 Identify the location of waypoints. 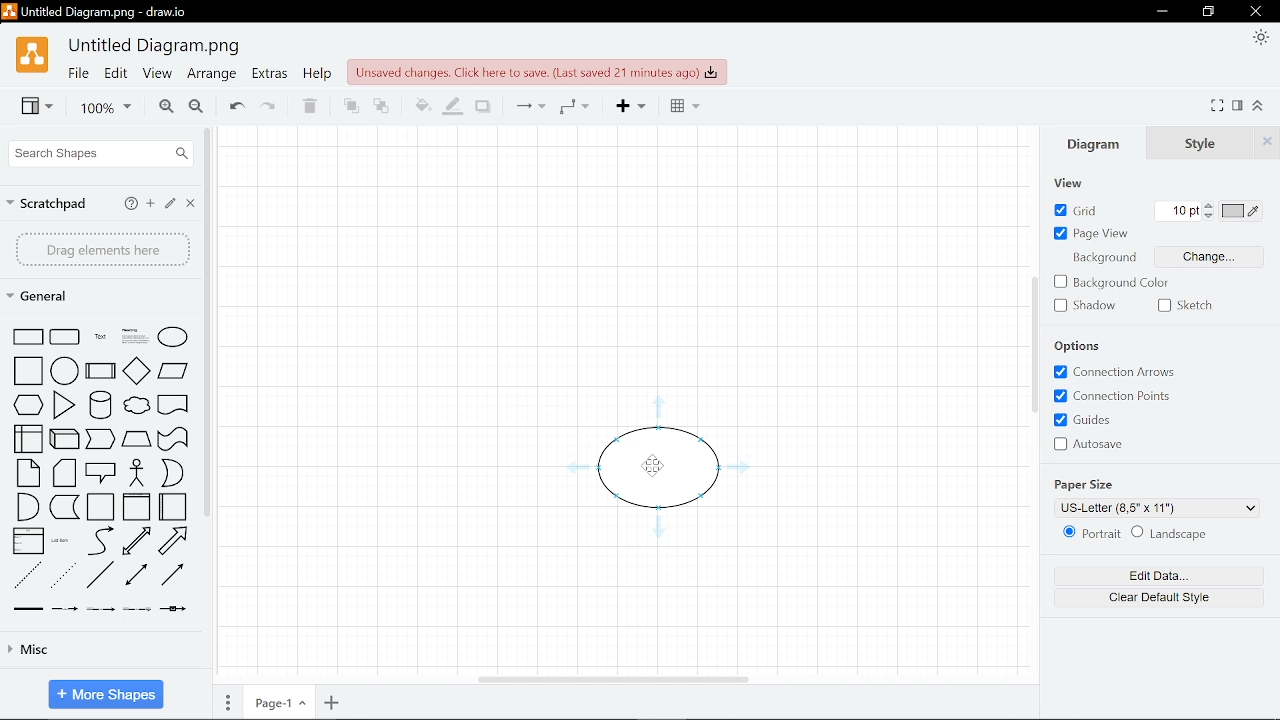
(574, 106).